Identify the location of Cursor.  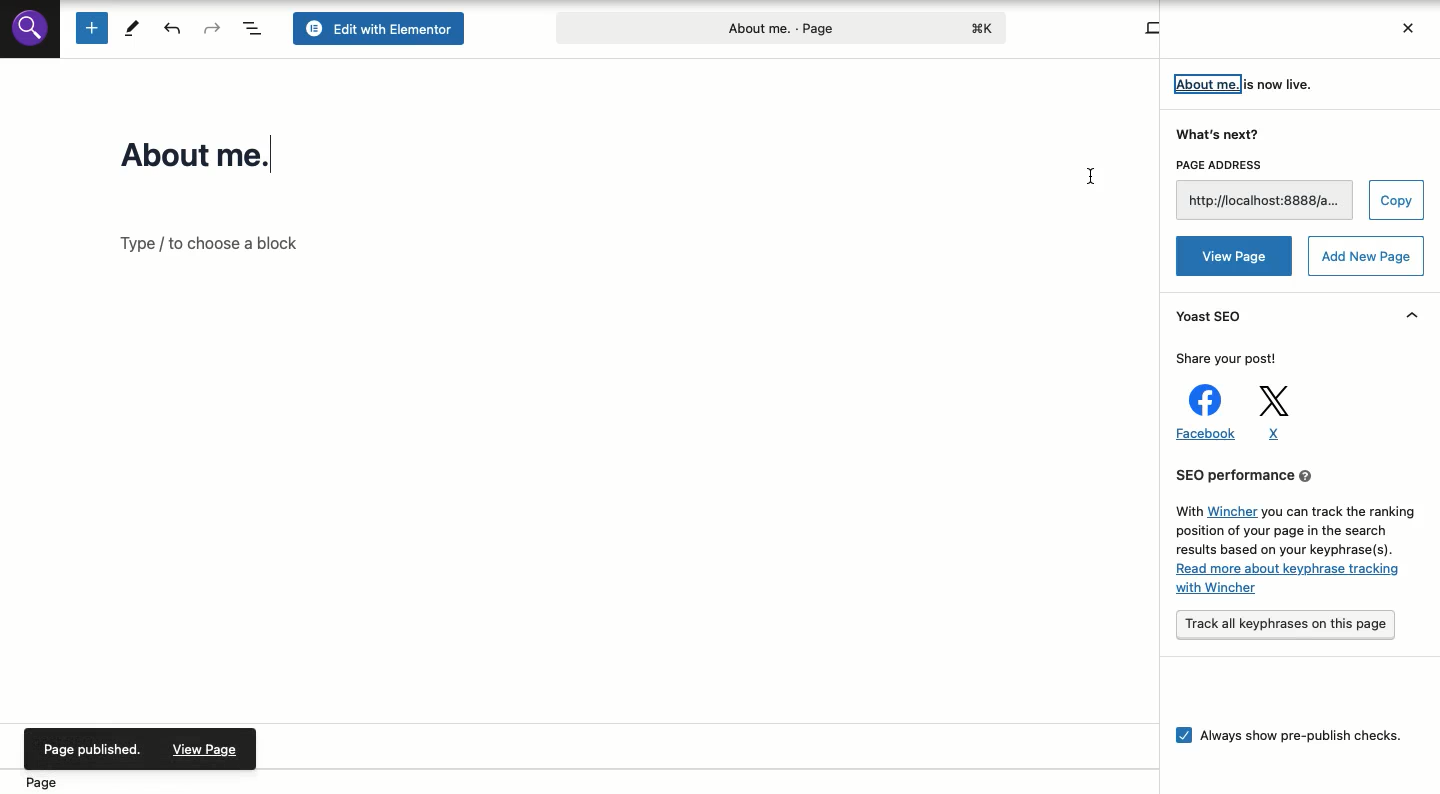
(1087, 177).